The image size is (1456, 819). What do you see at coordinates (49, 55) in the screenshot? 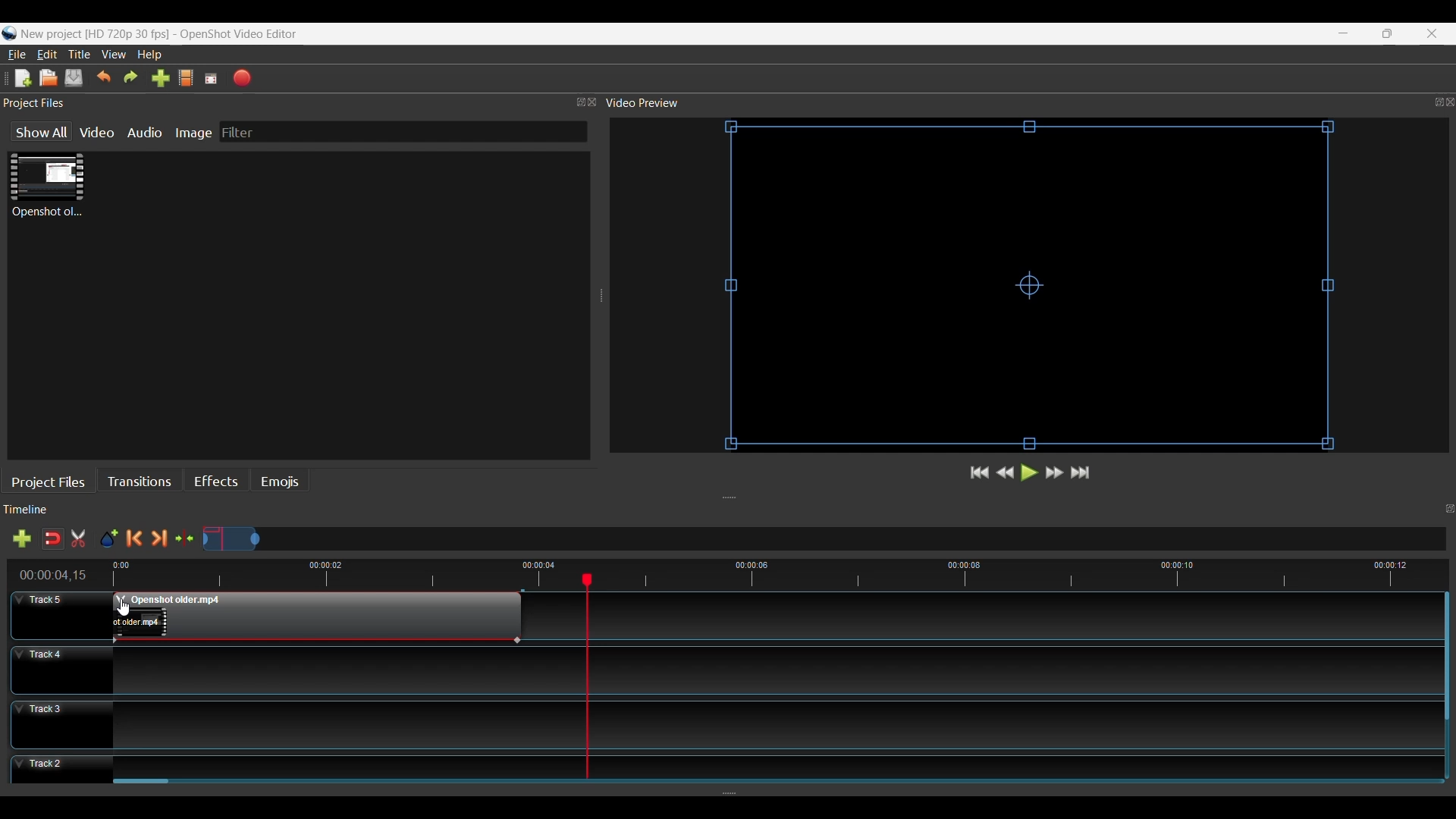
I see `Edit` at bounding box center [49, 55].